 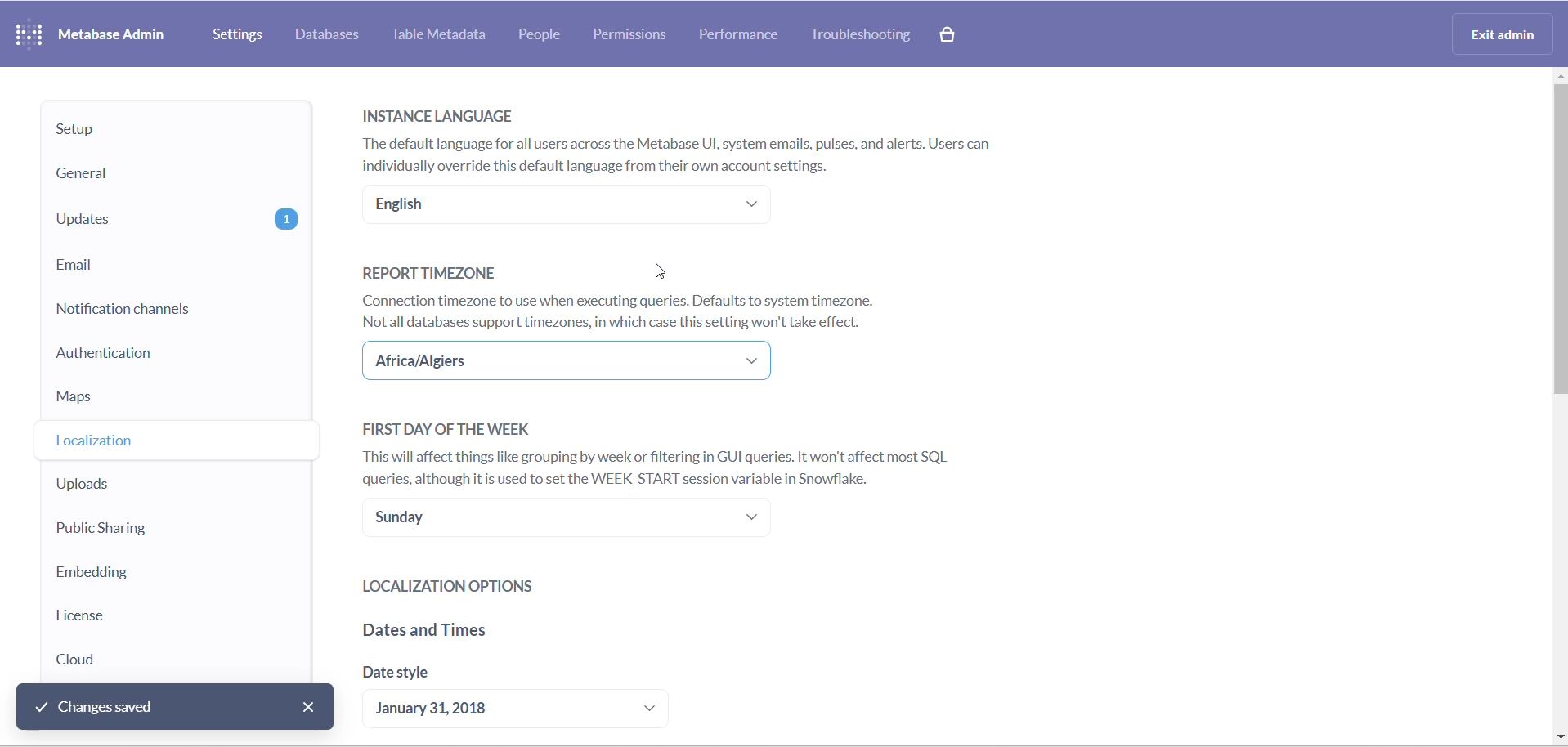 I want to click on LICENSE, so click(x=141, y=617).